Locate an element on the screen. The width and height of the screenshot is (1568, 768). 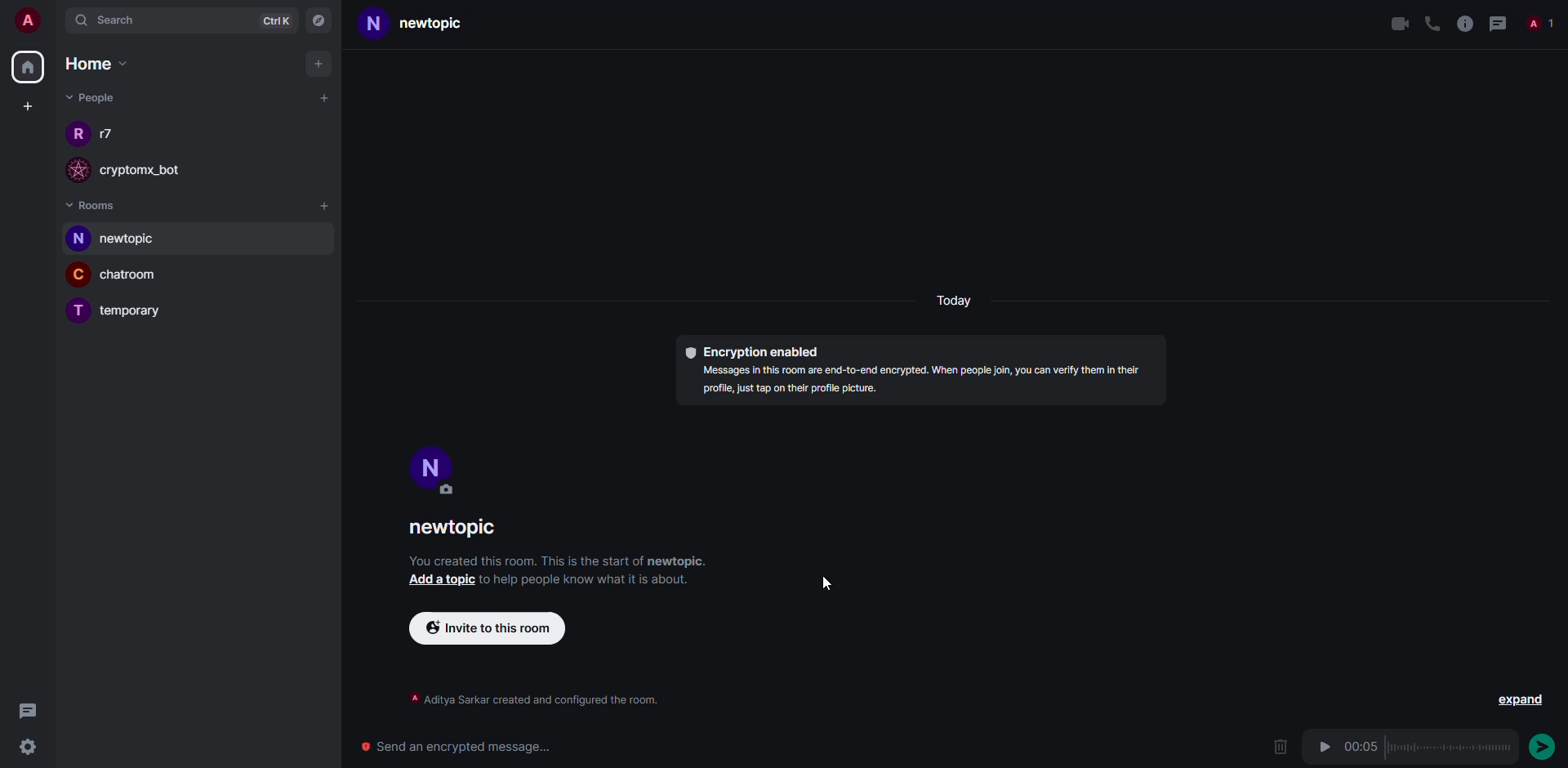
start chat is located at coordinates (323, 98).